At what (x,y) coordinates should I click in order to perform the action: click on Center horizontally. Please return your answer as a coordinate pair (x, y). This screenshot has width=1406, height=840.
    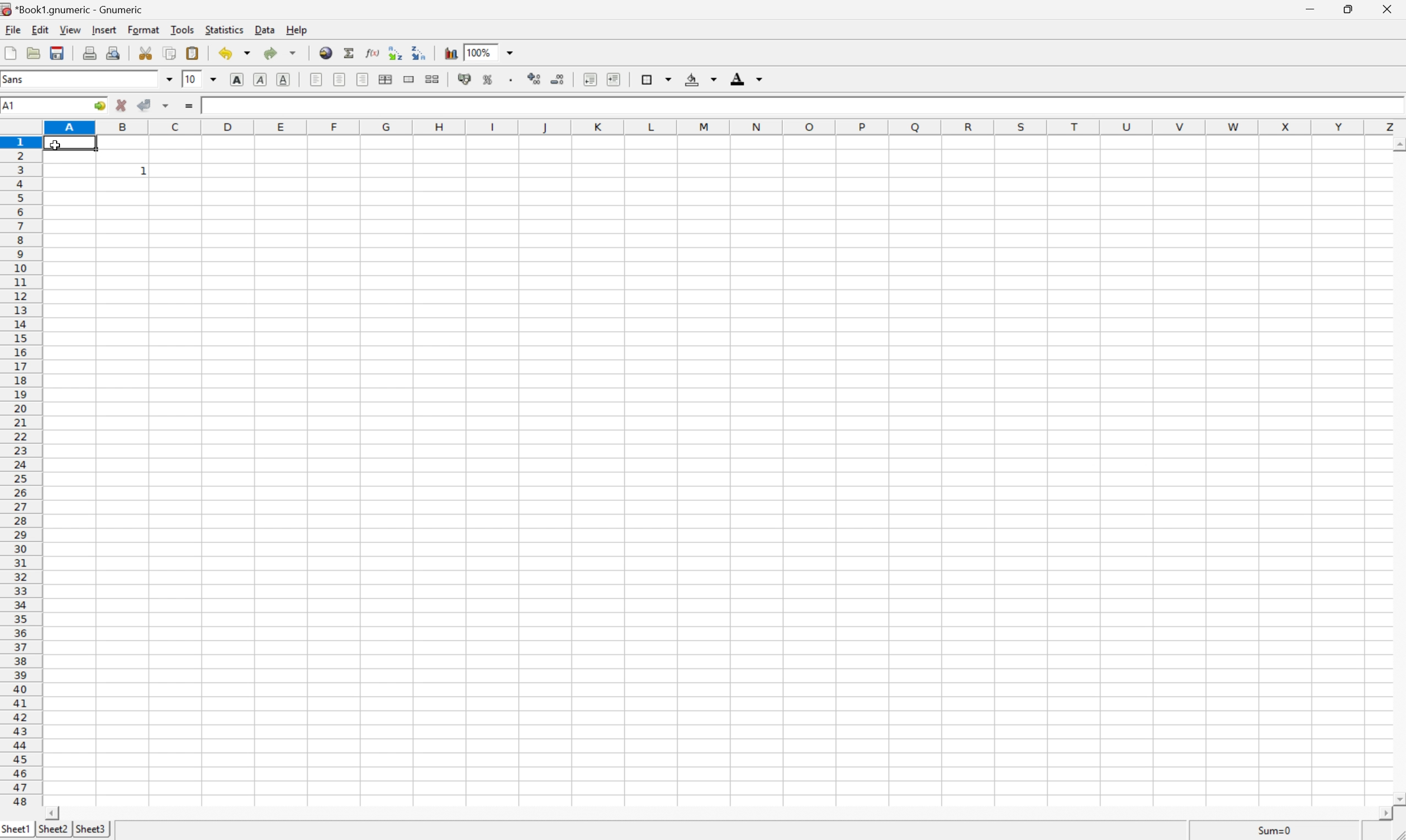
    Looking at the image, I should click on (338, 79).